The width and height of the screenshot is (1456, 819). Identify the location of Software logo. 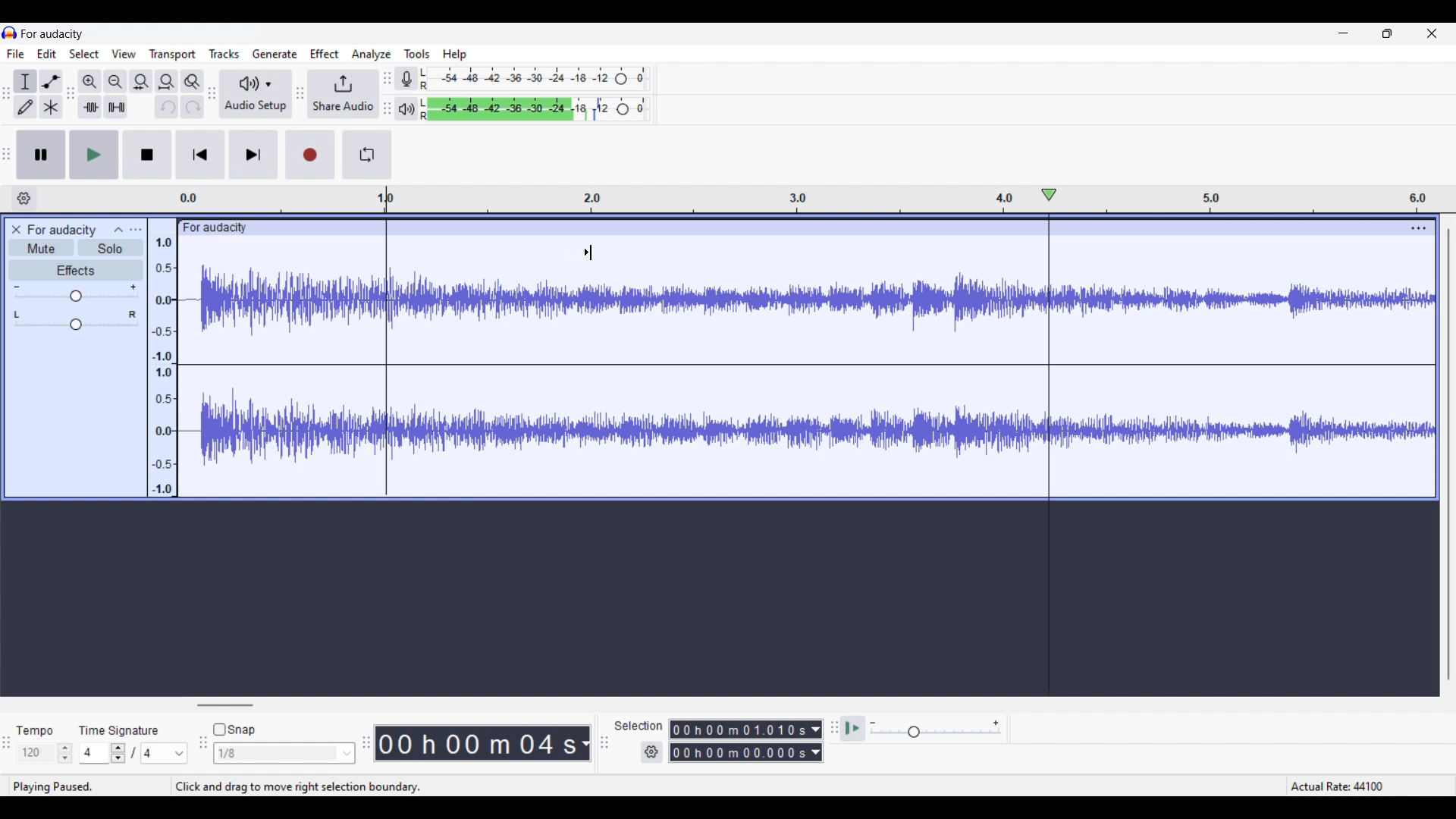
(10, 33).